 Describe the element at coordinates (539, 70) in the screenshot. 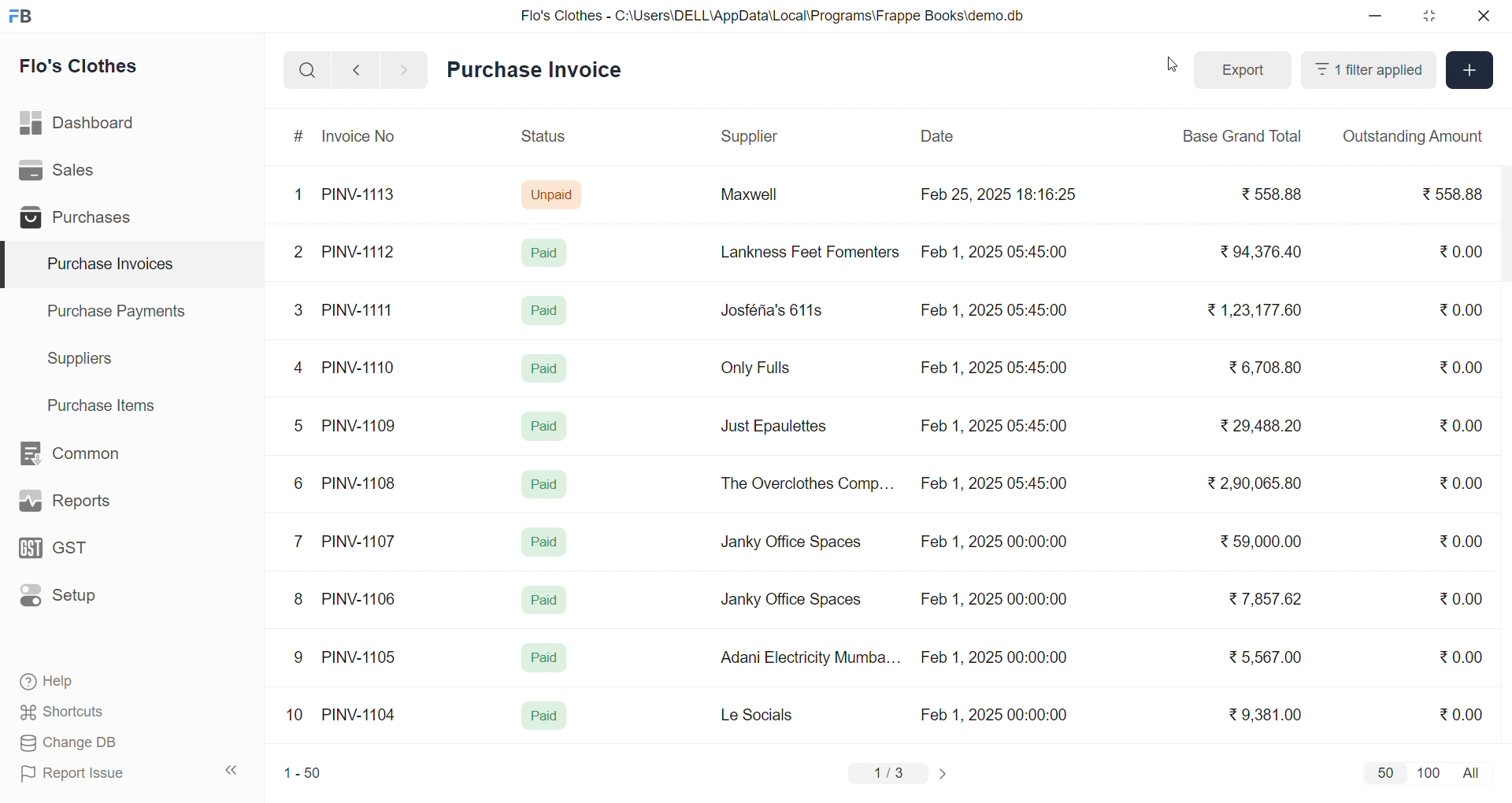

I see `Purchase Invoice` at that location.